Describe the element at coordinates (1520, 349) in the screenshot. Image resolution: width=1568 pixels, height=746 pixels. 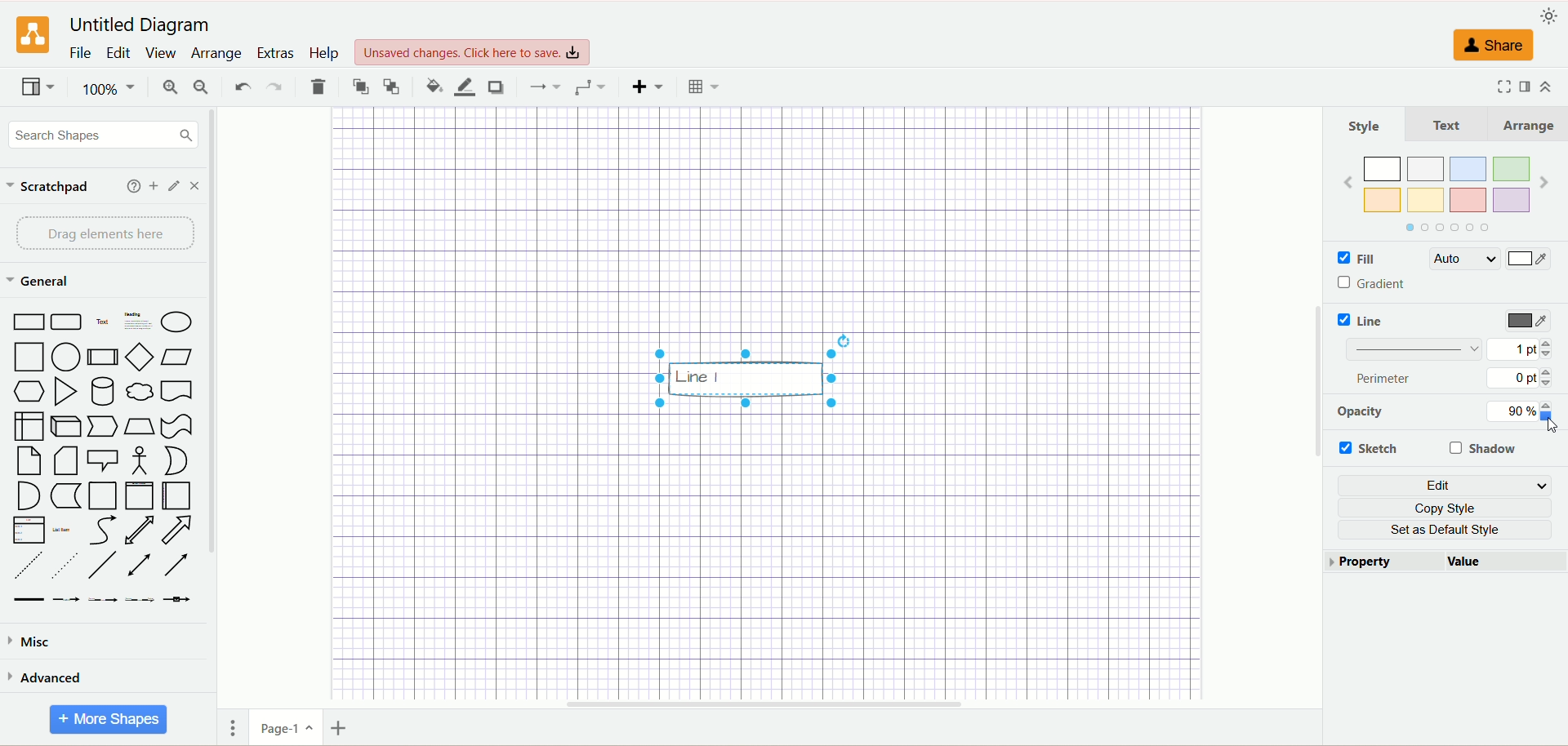
I see `1 pt` at that location.